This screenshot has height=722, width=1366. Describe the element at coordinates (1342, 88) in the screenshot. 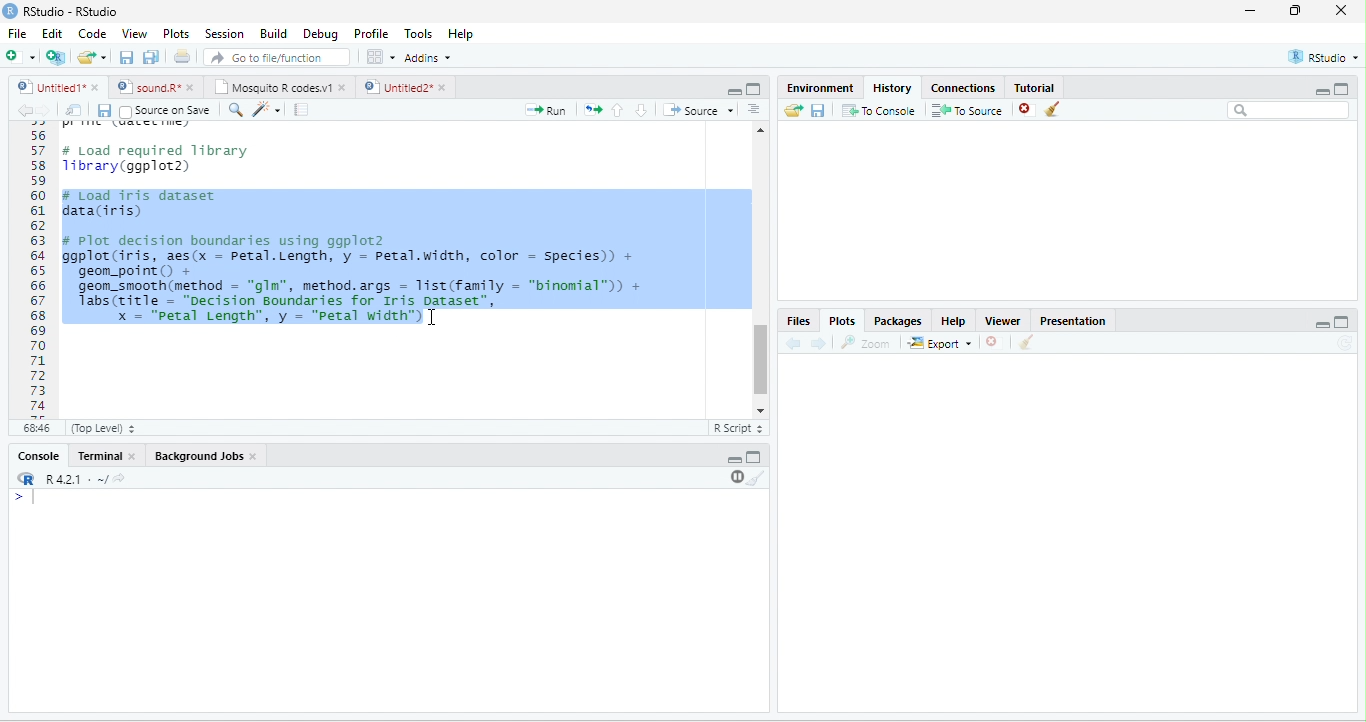

I see `maximize` at that location.